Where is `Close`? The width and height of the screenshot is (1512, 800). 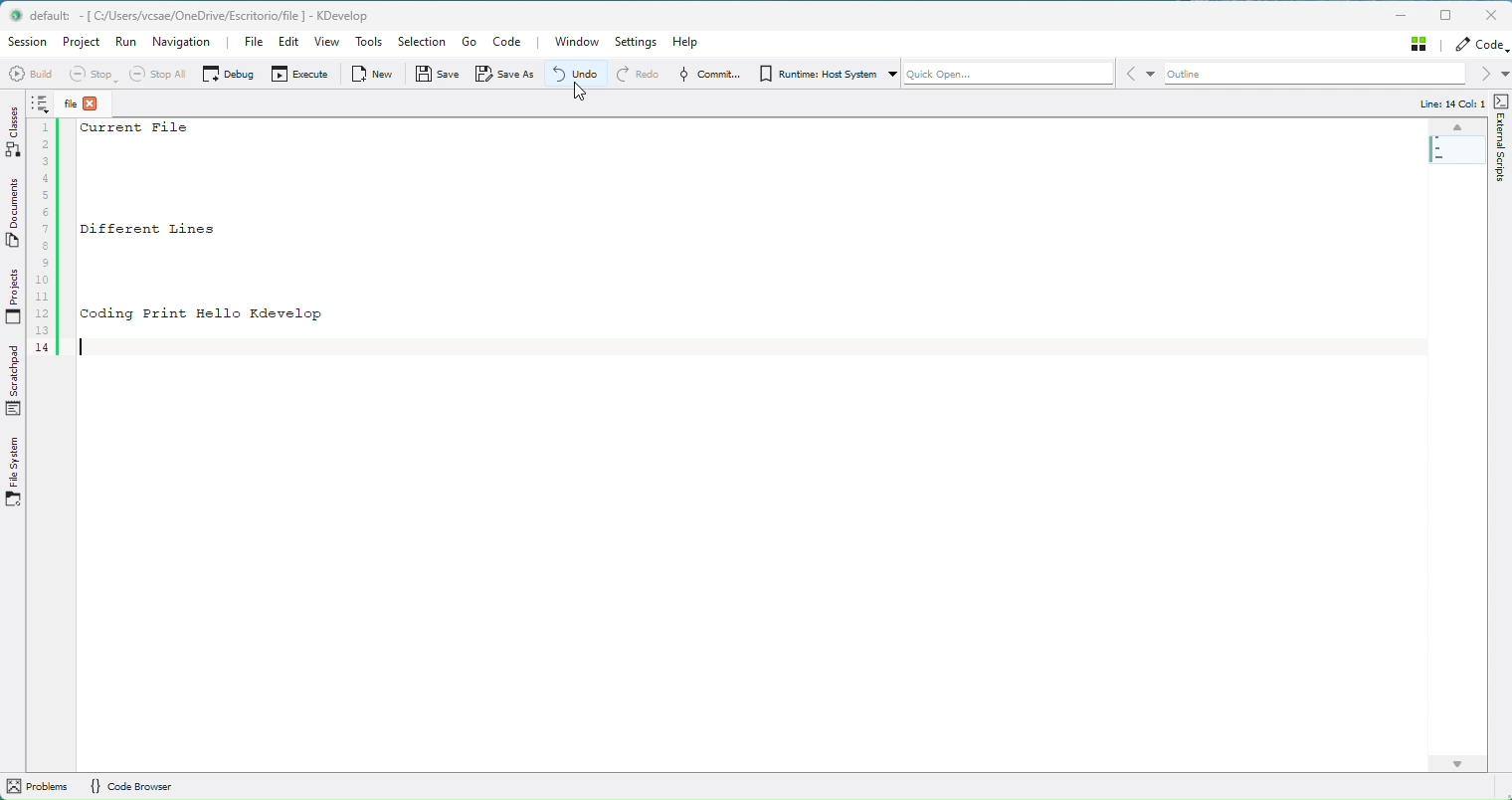 Close is located at coordinates (1492, 15).